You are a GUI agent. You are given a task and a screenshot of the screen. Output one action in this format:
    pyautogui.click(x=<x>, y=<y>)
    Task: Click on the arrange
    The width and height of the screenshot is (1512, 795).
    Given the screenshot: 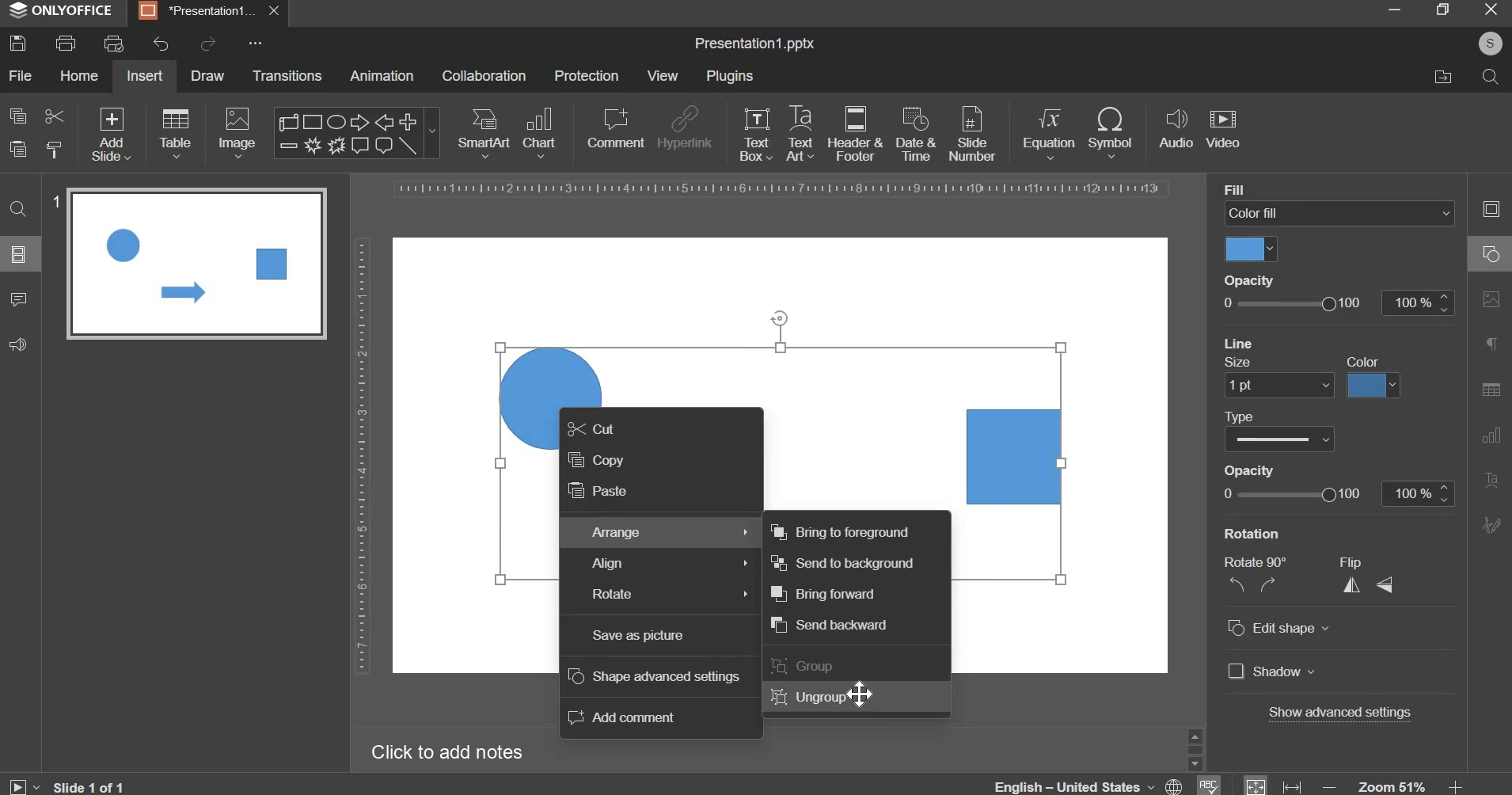 What is the action you would take?
    pyautogui.click(x=669, y=532)
    